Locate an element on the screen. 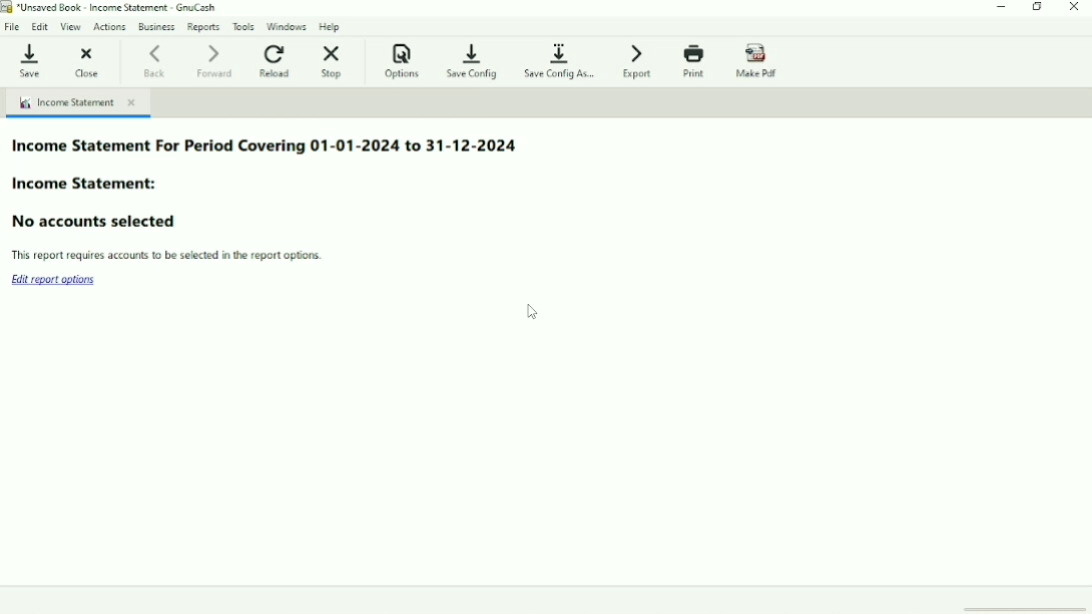 Image resolution: width=1092 pixels, height=614 pixels. Income Statement is located at coordinates (77, 102).